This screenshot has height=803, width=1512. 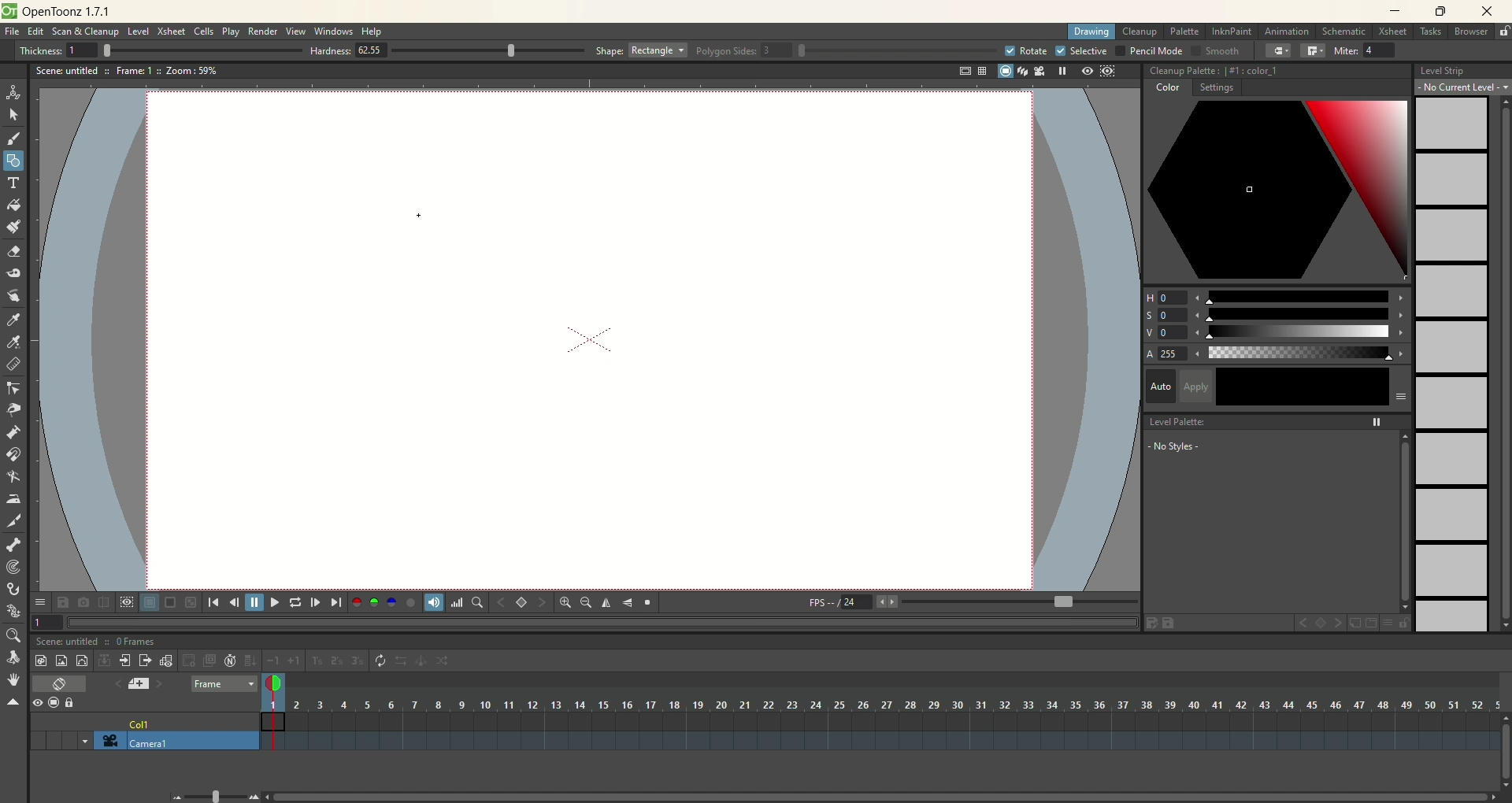 What do you see at coordinates (139, 32) in the screenshot?
I see `level` at bounding box center [139, 32].